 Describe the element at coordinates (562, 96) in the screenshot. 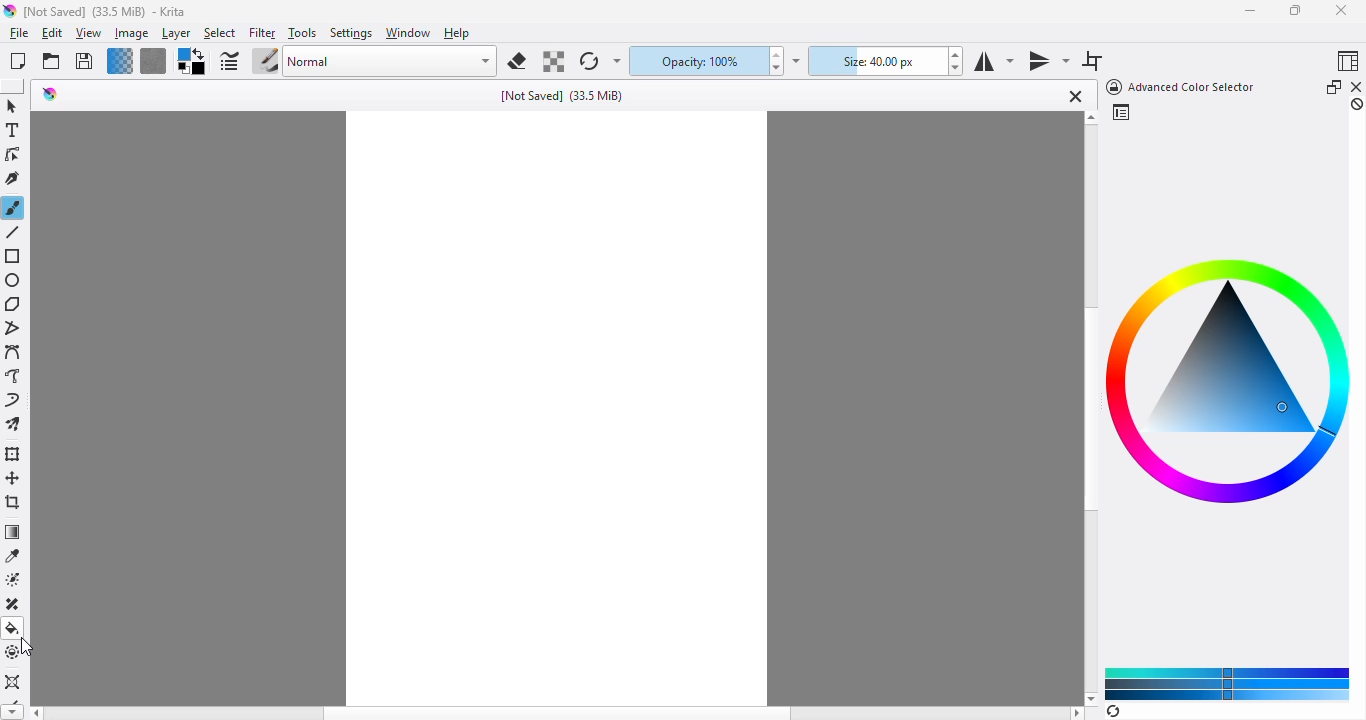

I see `title` at that location.